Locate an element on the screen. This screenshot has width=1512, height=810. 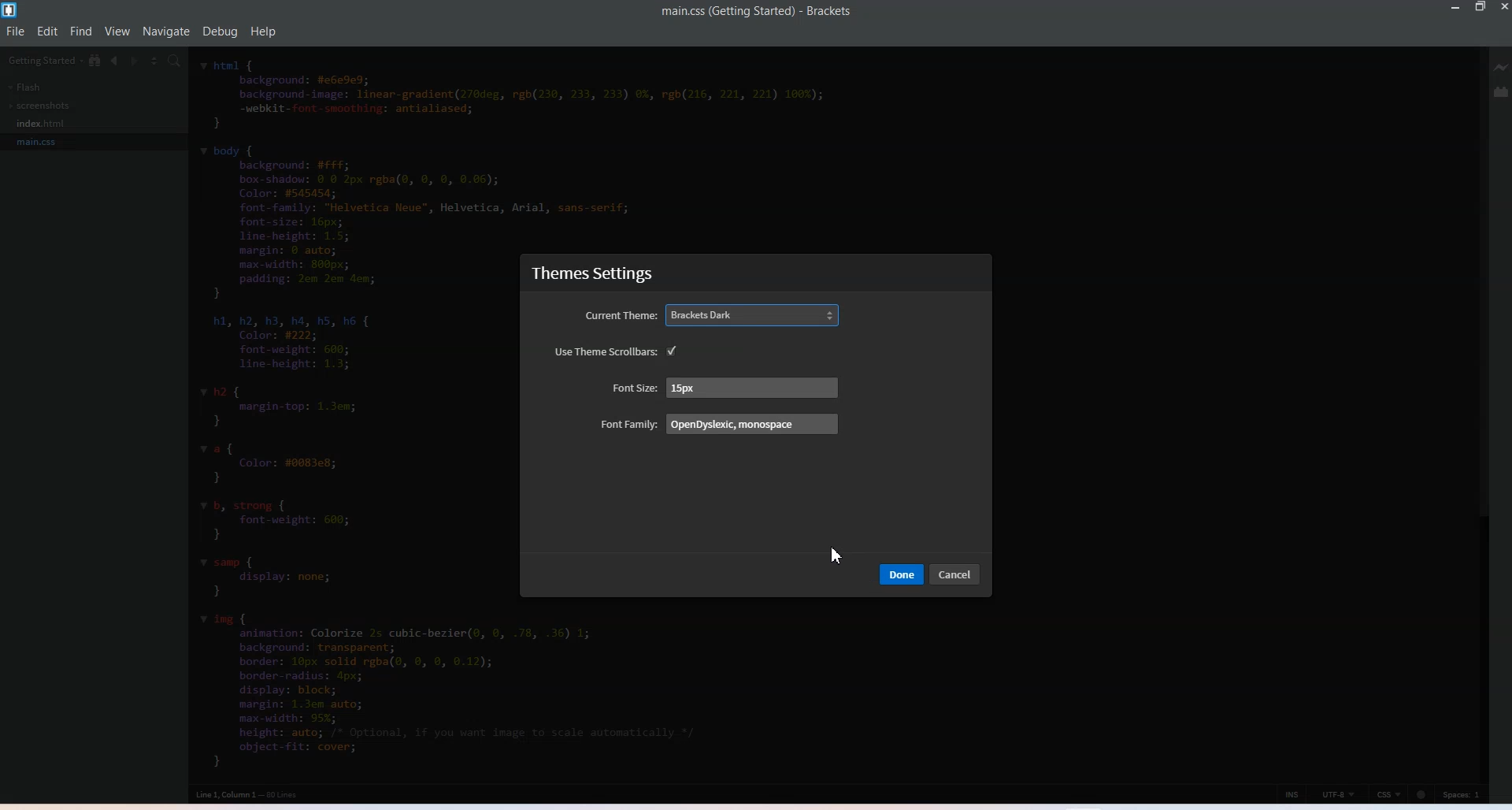
main.css(getting started) - Brackets is located at coordinates (769, 12).